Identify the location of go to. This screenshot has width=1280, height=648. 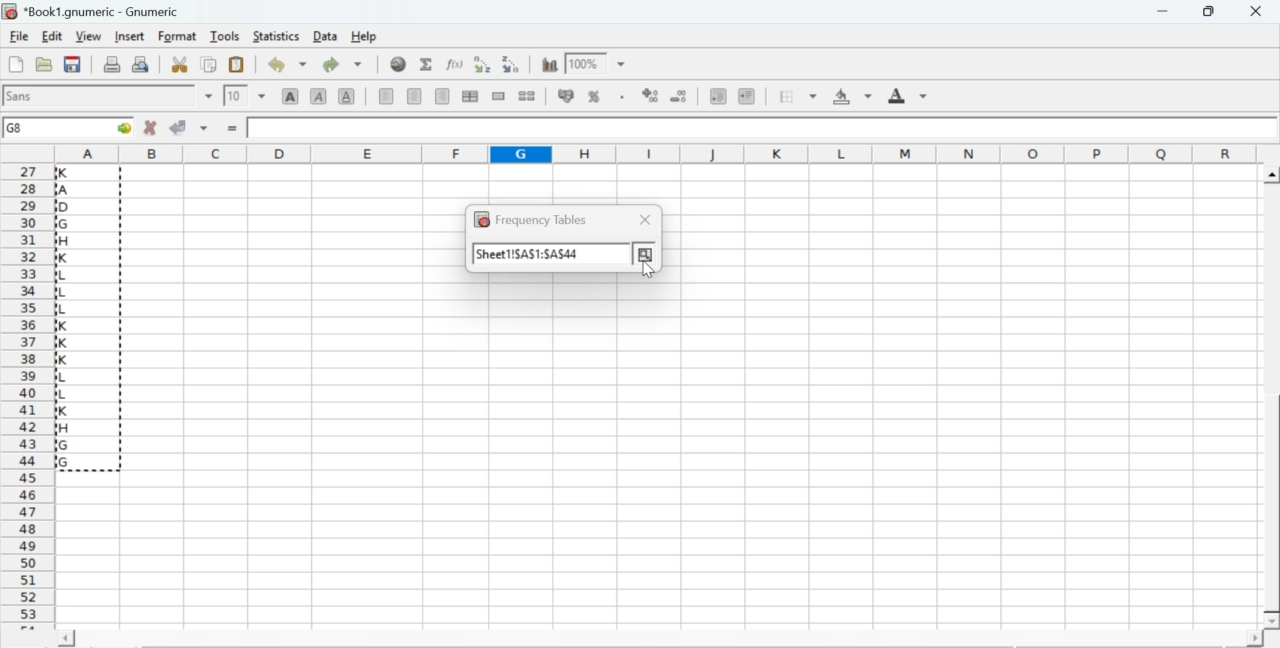
(122, 127).